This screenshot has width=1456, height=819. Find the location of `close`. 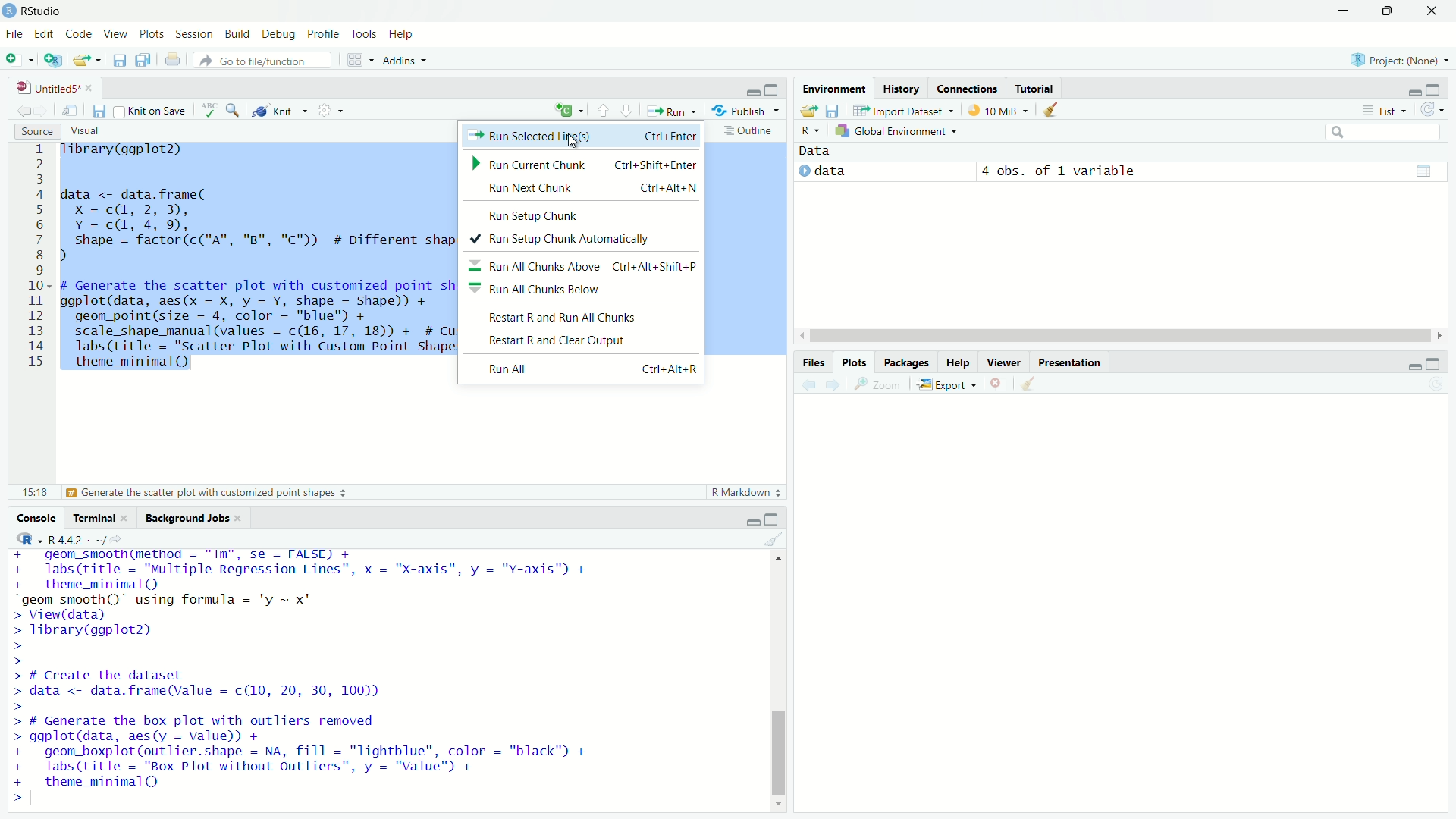

close is located at coordinates (1432, 11).